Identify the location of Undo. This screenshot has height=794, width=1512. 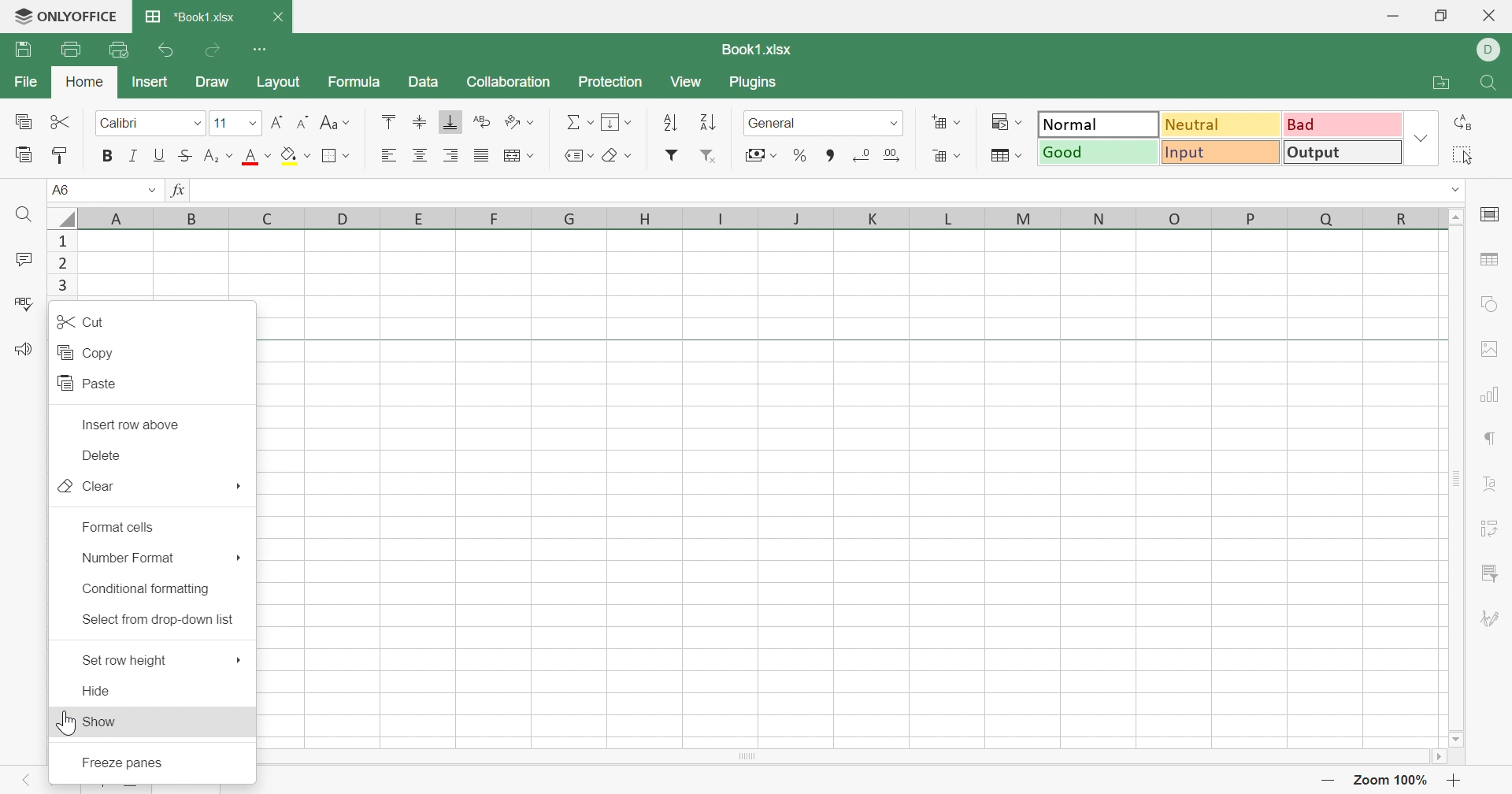
(168, 49).